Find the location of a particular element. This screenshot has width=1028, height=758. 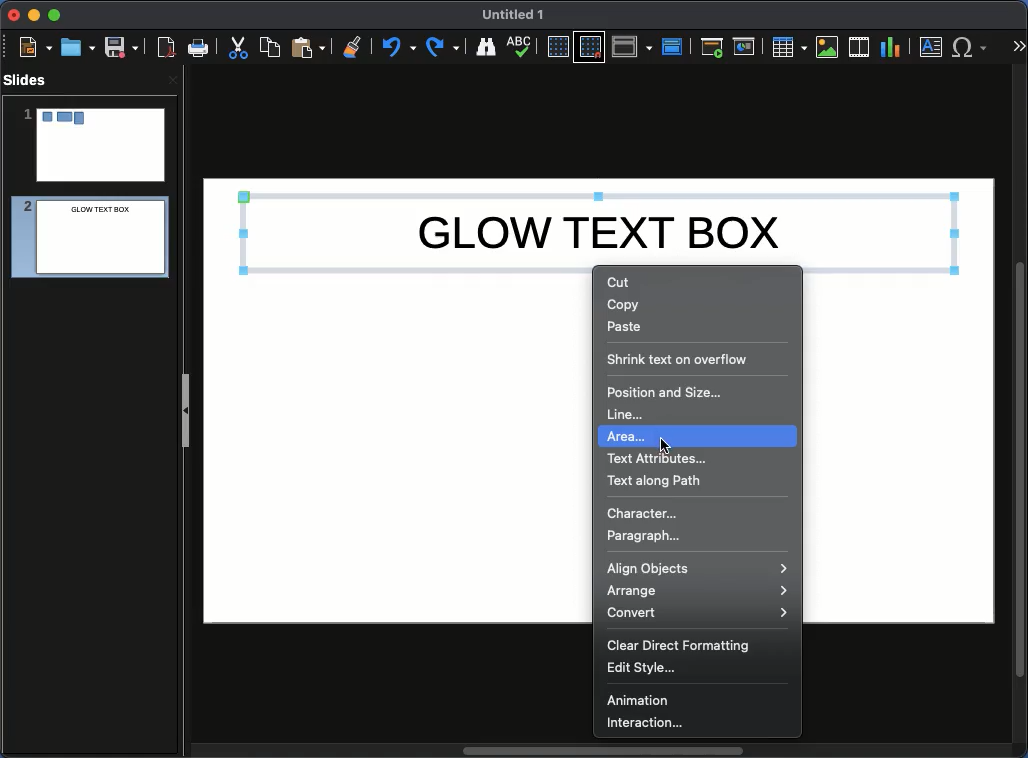

Cut is located at coordinates (238, 47).